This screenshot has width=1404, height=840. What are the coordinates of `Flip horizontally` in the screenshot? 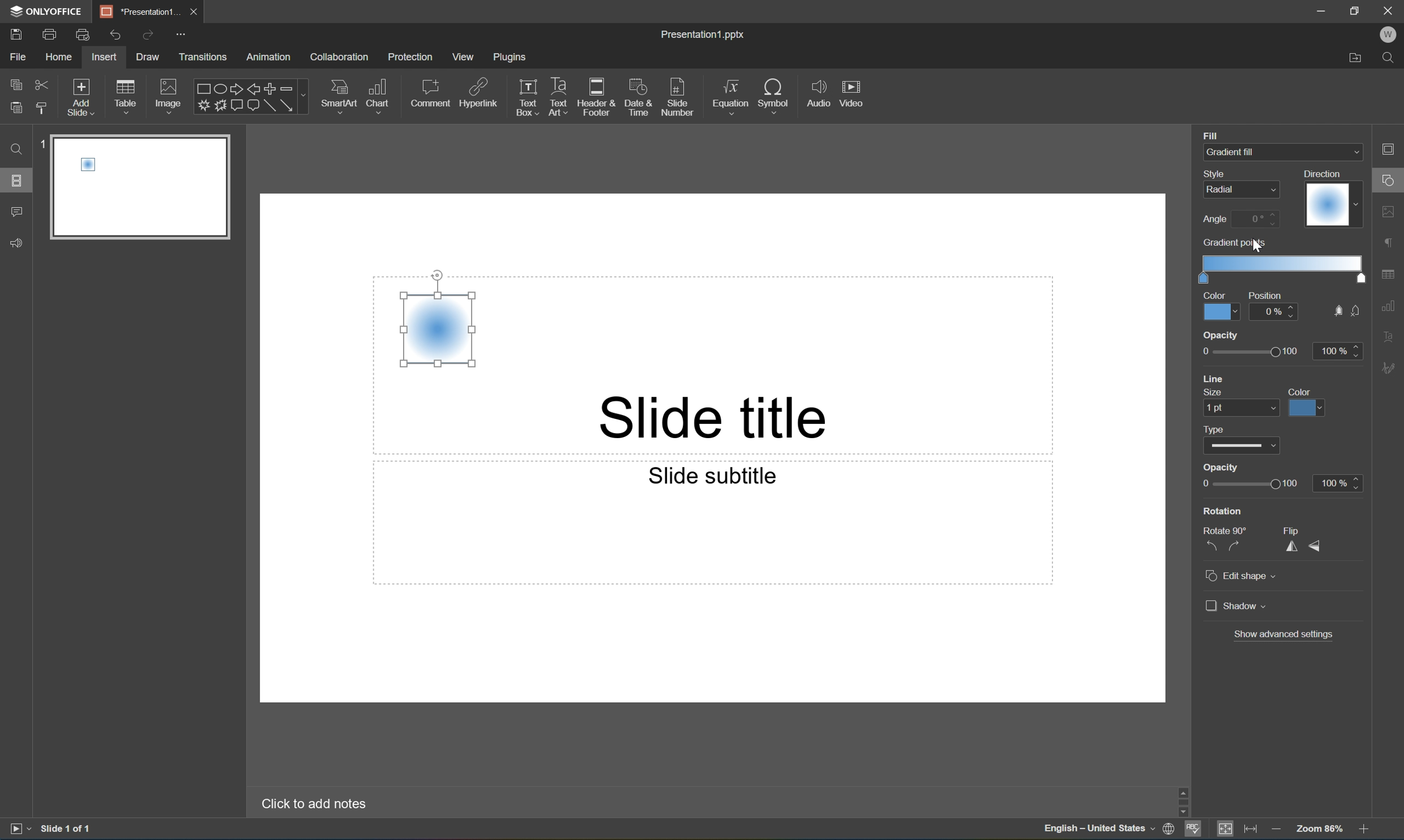 It's located at (1289, 551).